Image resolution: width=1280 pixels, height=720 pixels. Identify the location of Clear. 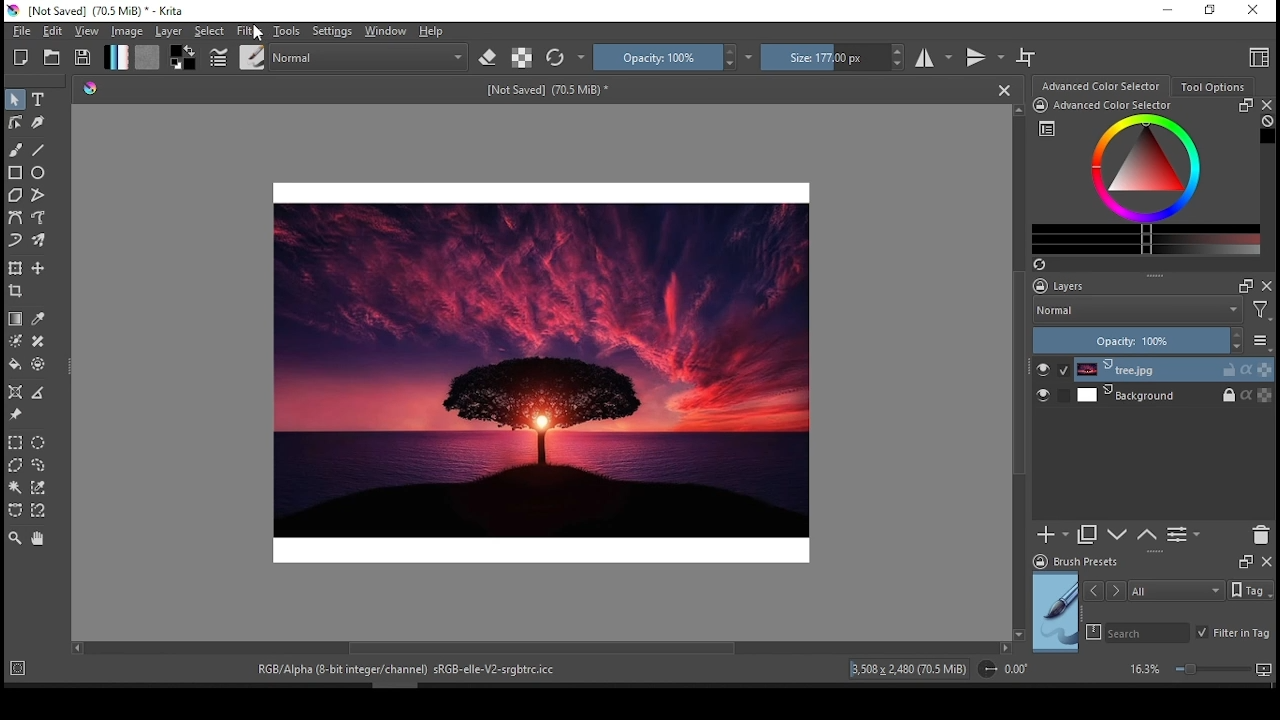
(1267, 121).